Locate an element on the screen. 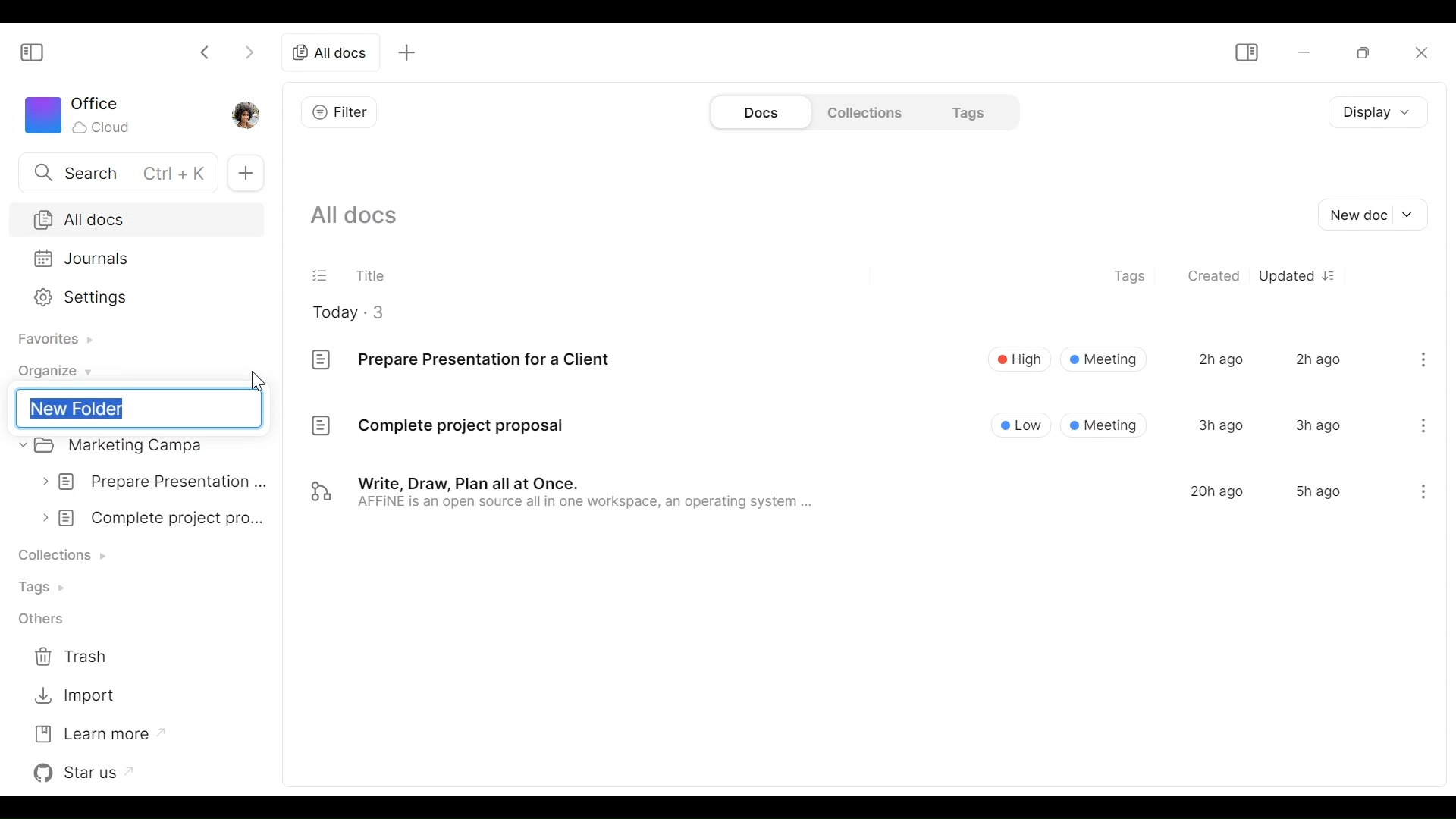  Click to go back is located at coordinates (206, 51).